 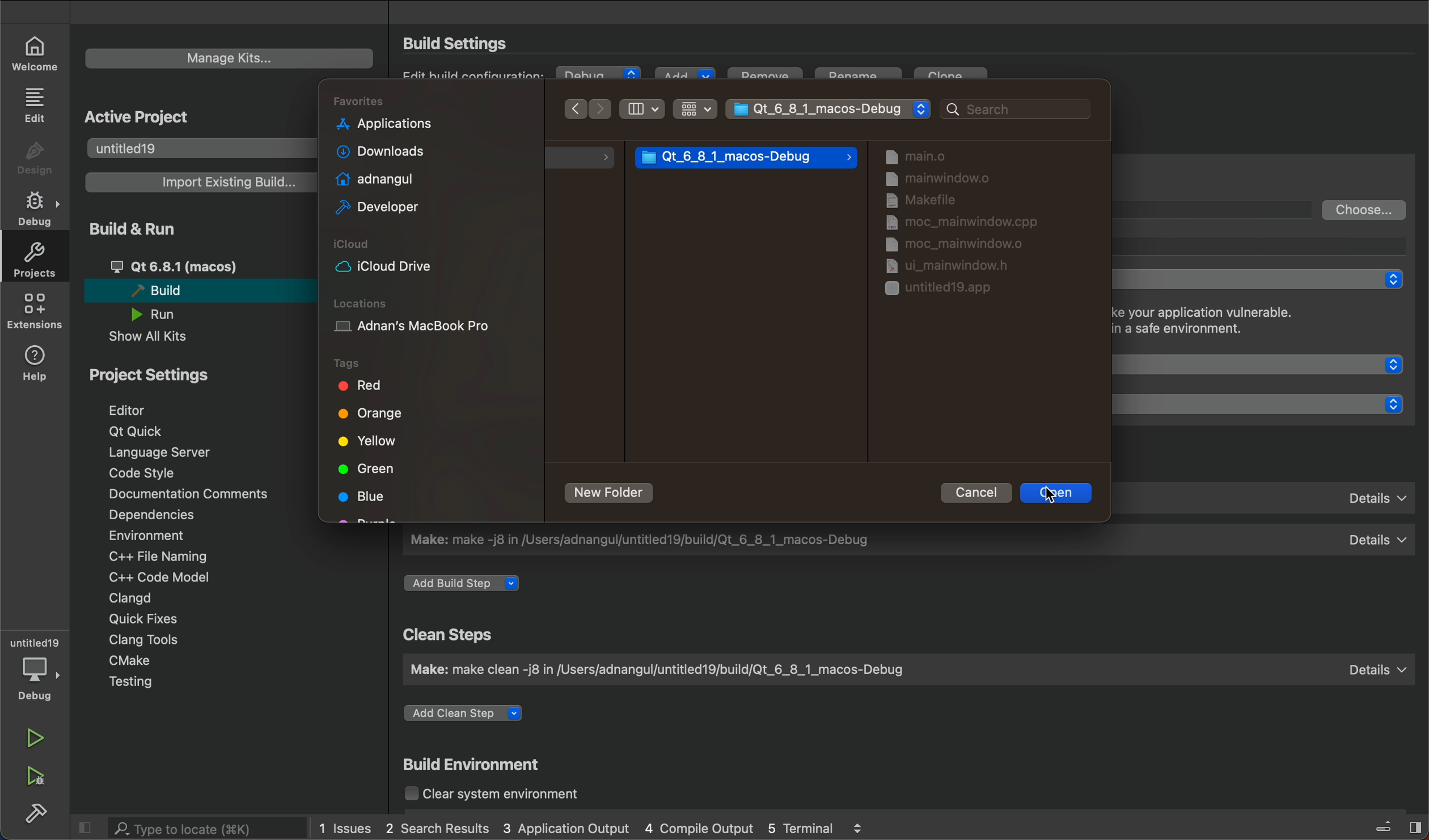 What do you see at coordinates (832, 109) in the screenshot?
I see `debug file` at bounding box center [832, 109].